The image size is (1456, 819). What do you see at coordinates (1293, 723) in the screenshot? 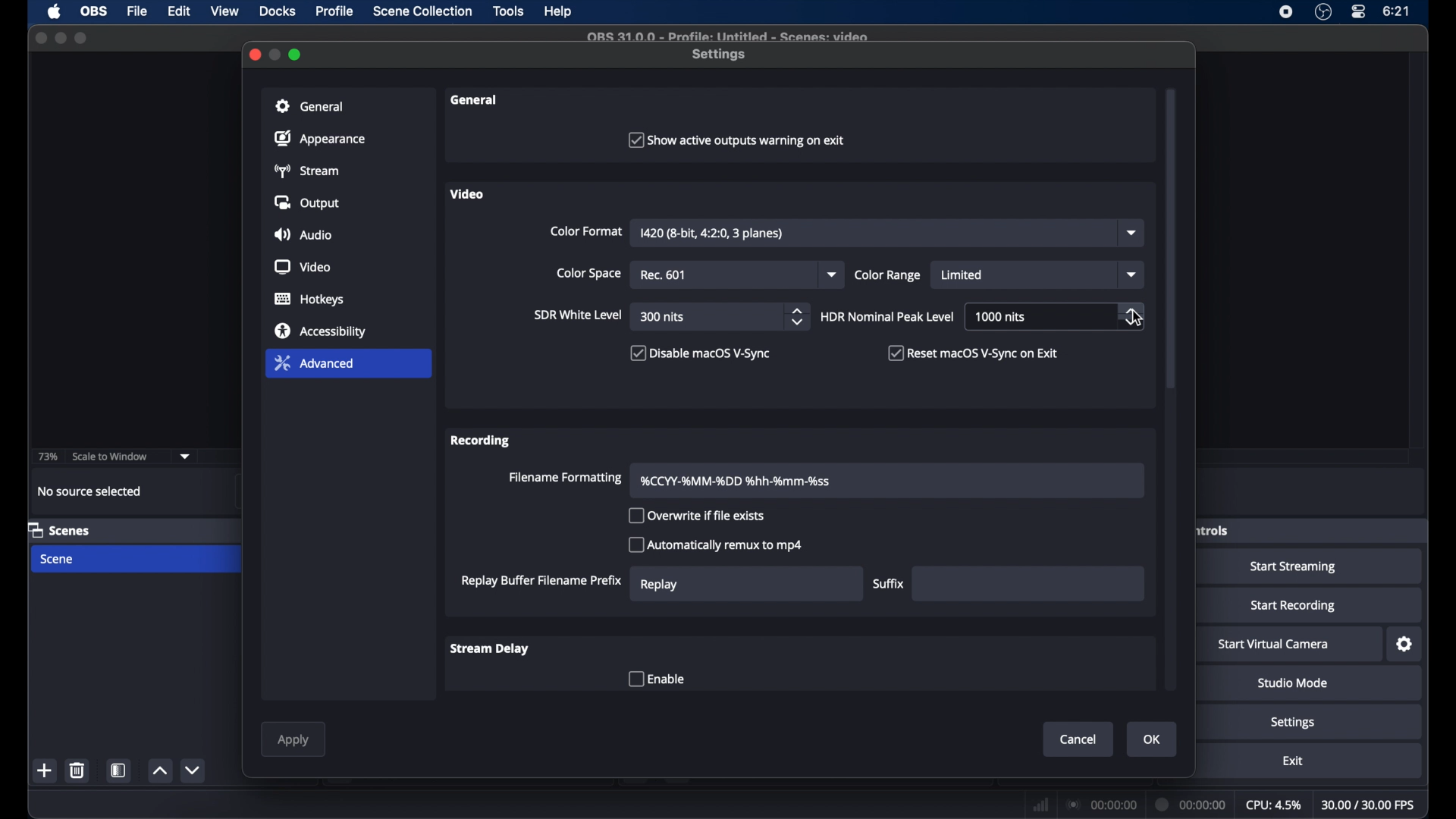
I see `settings` at bounding box center [1293, 723].